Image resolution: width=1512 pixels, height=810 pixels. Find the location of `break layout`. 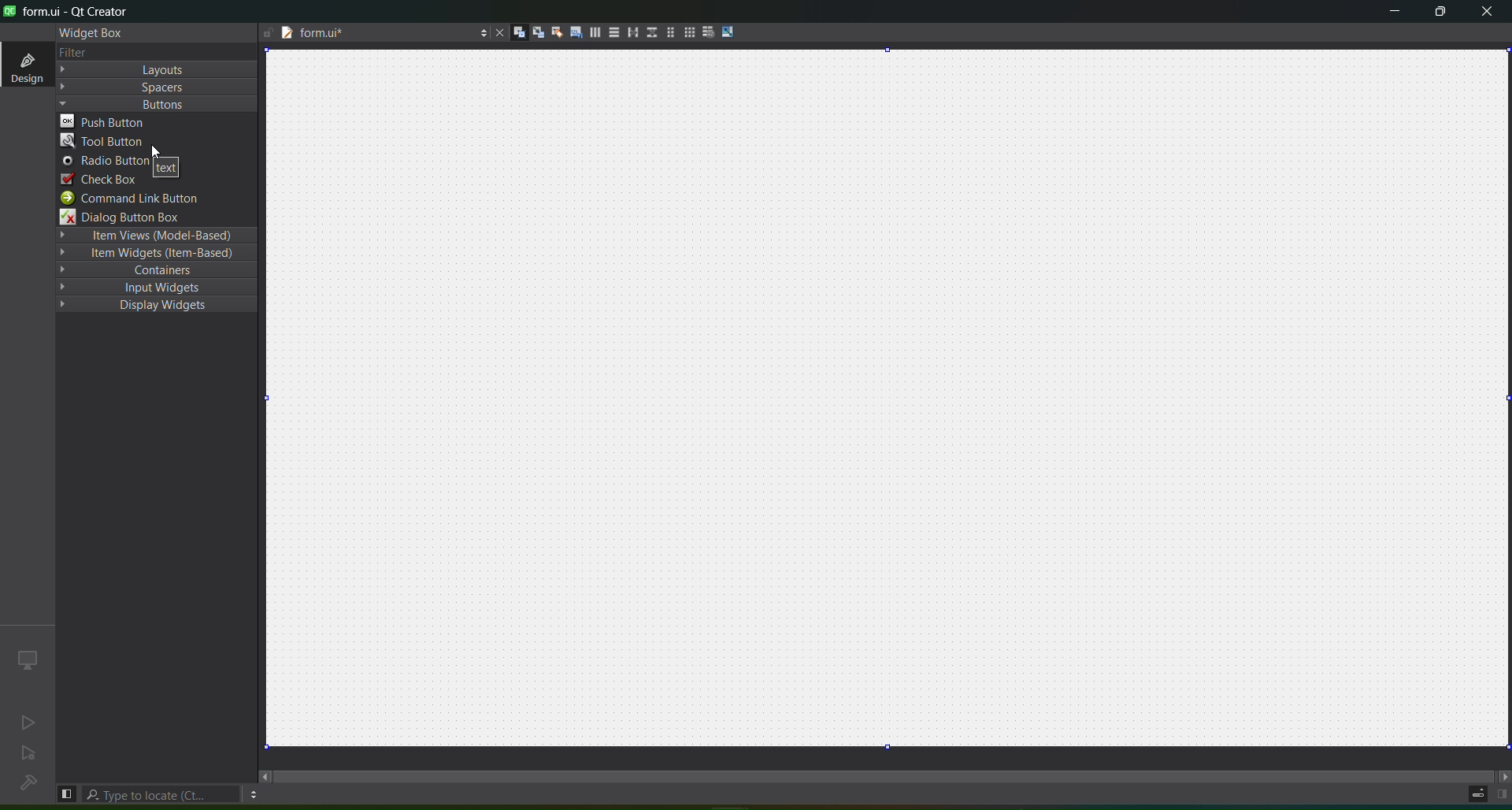

break layout is located at coordinates (708, 30).